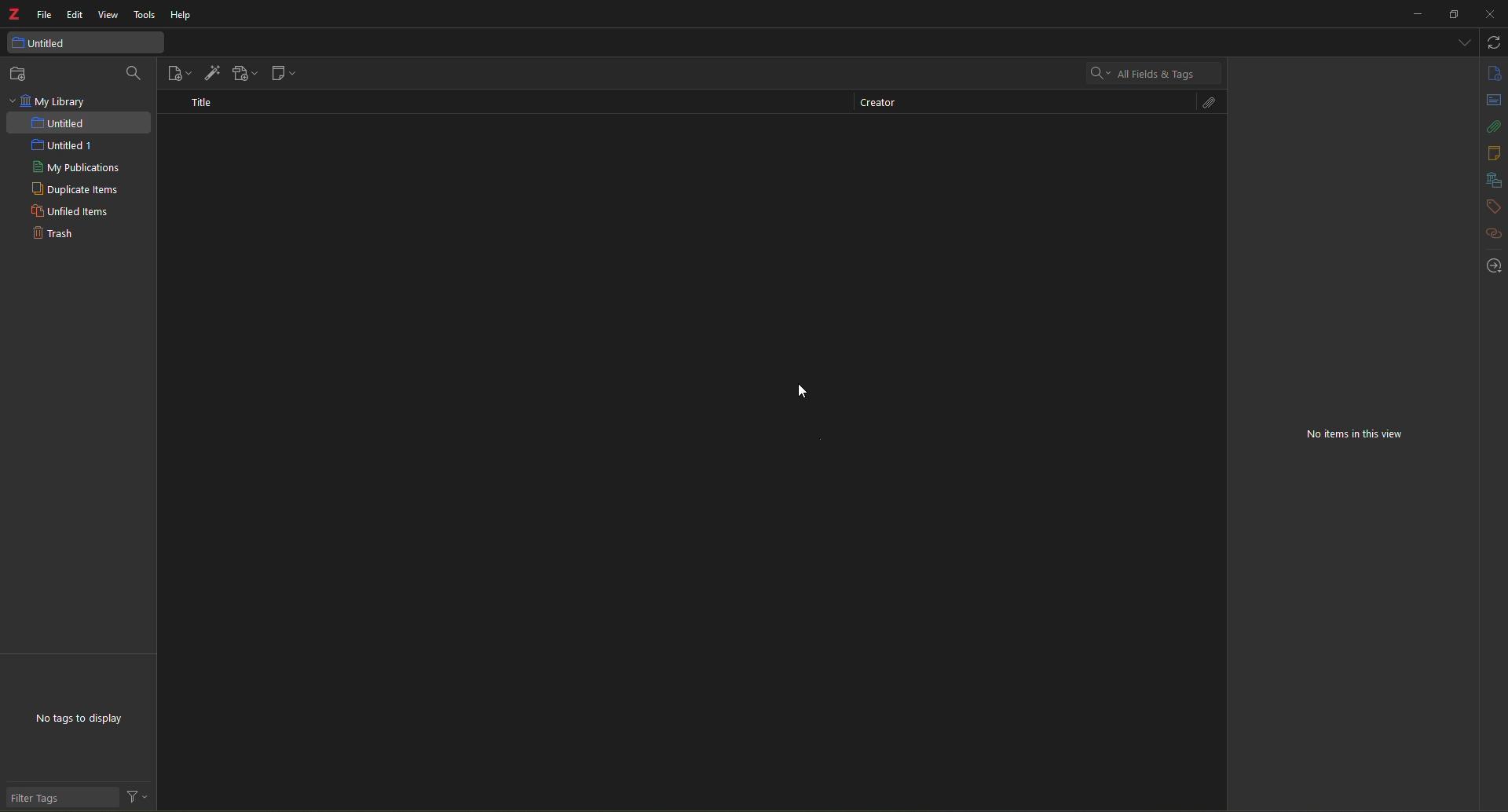  What do you see at coordinates (1495, 207) in the screenshot?
I see `tags` at bounding box center [1495, 207].